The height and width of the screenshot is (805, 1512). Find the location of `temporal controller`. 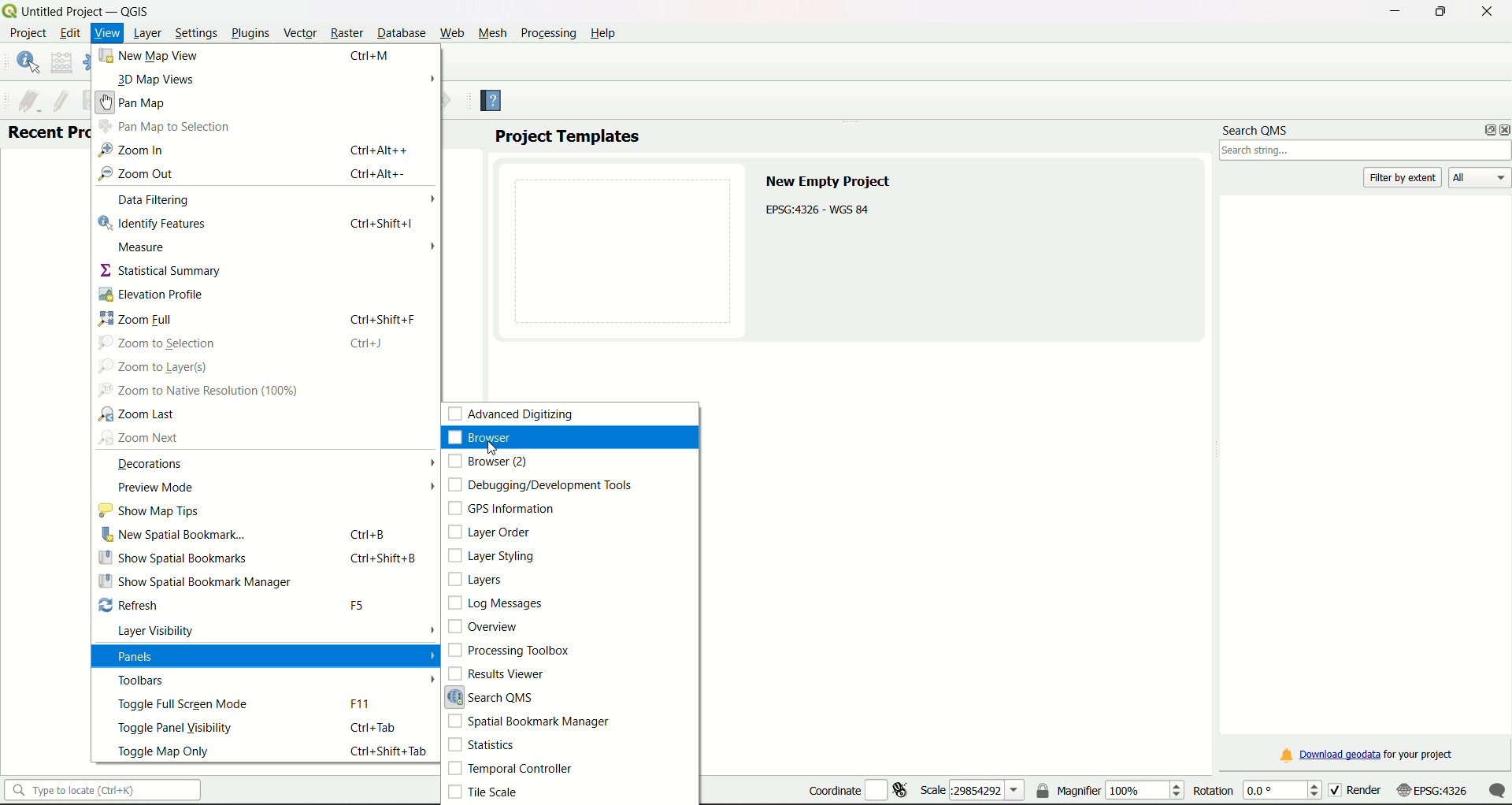

temporal controller is located at coordinates (513, 768).